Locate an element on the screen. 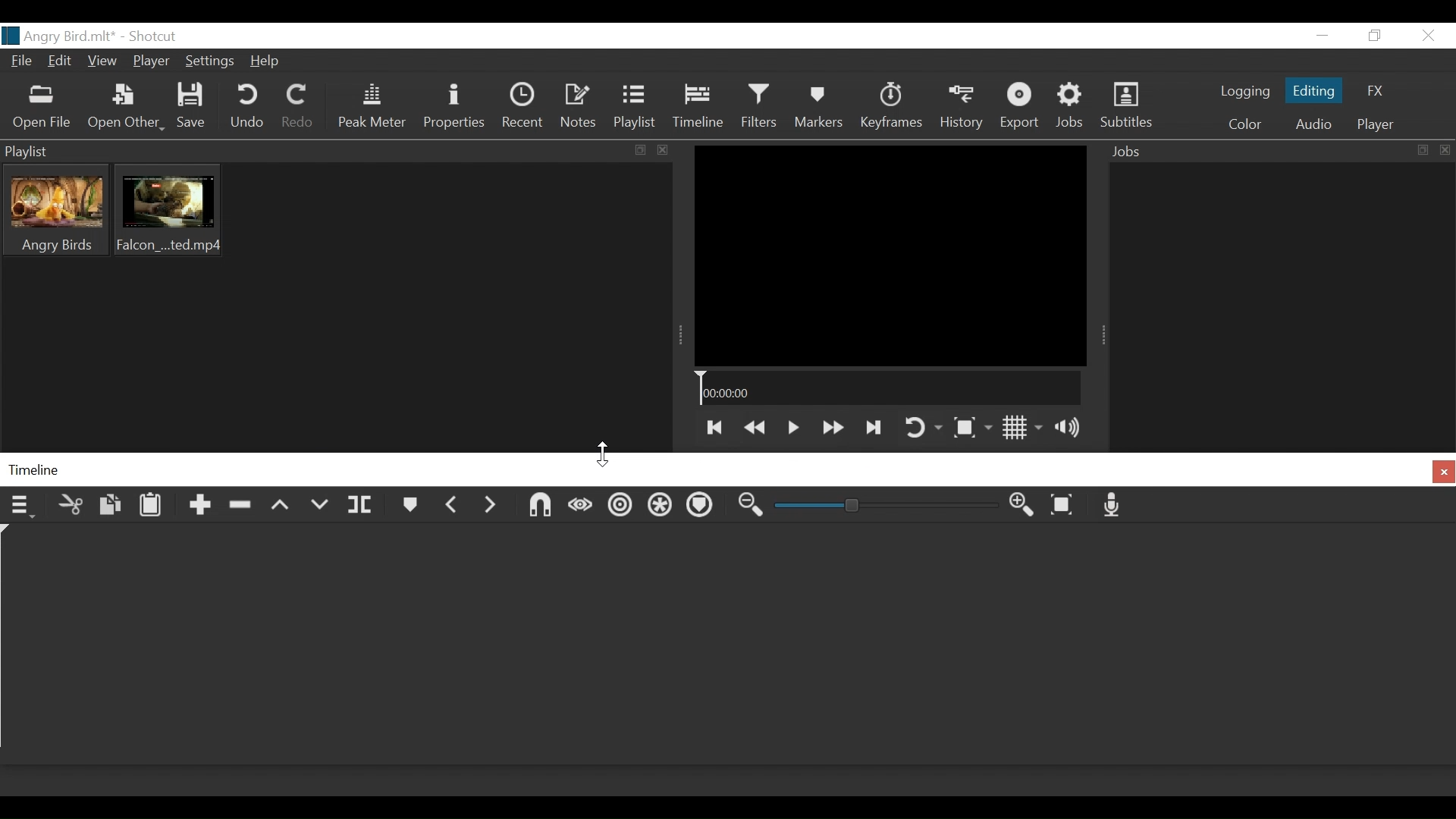 The width and height of the screenshot is (1456, 819). Cut is located at coordinates (70, 505).